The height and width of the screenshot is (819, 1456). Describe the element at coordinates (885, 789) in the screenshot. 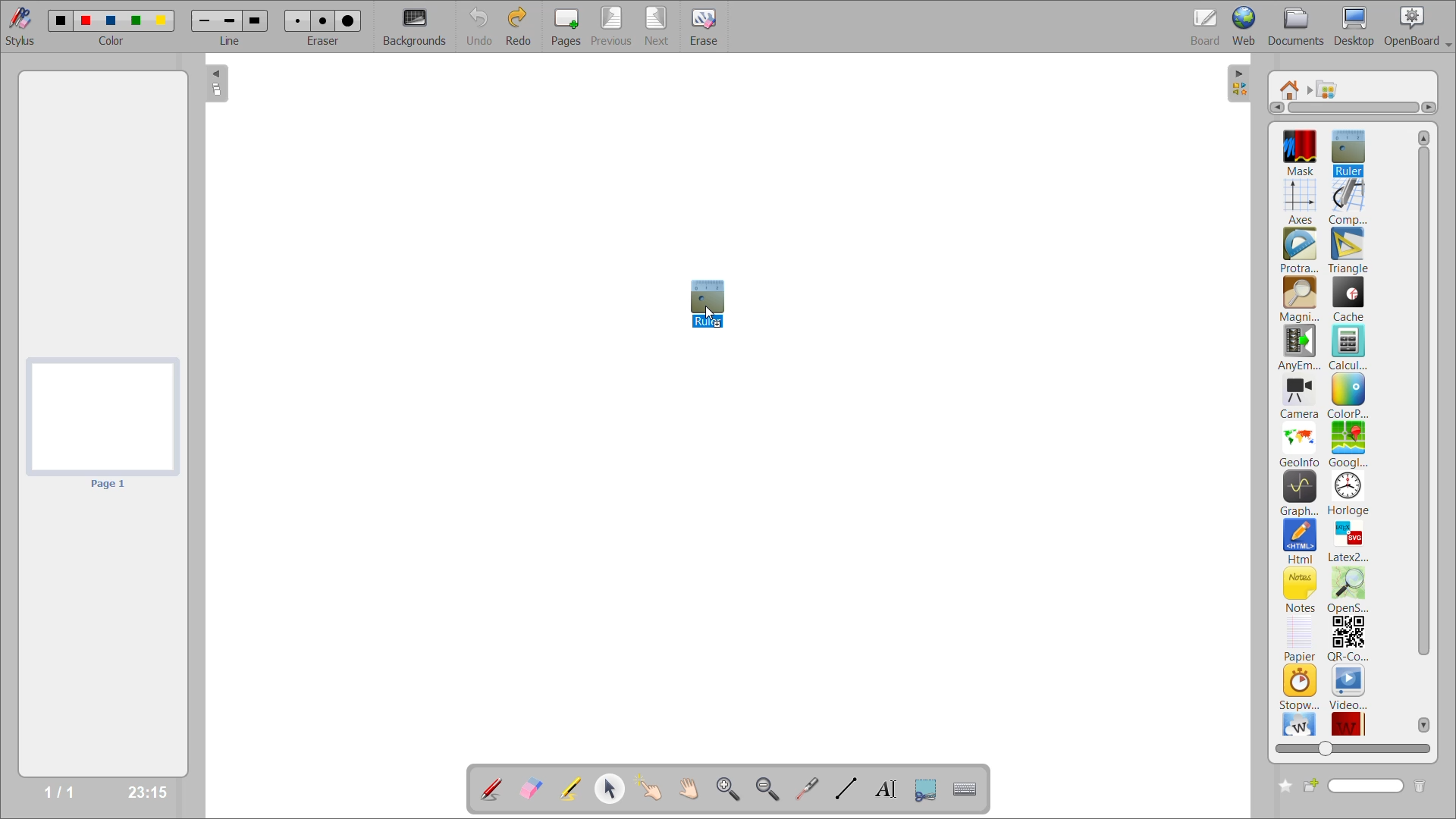

I see `write text` at that location.